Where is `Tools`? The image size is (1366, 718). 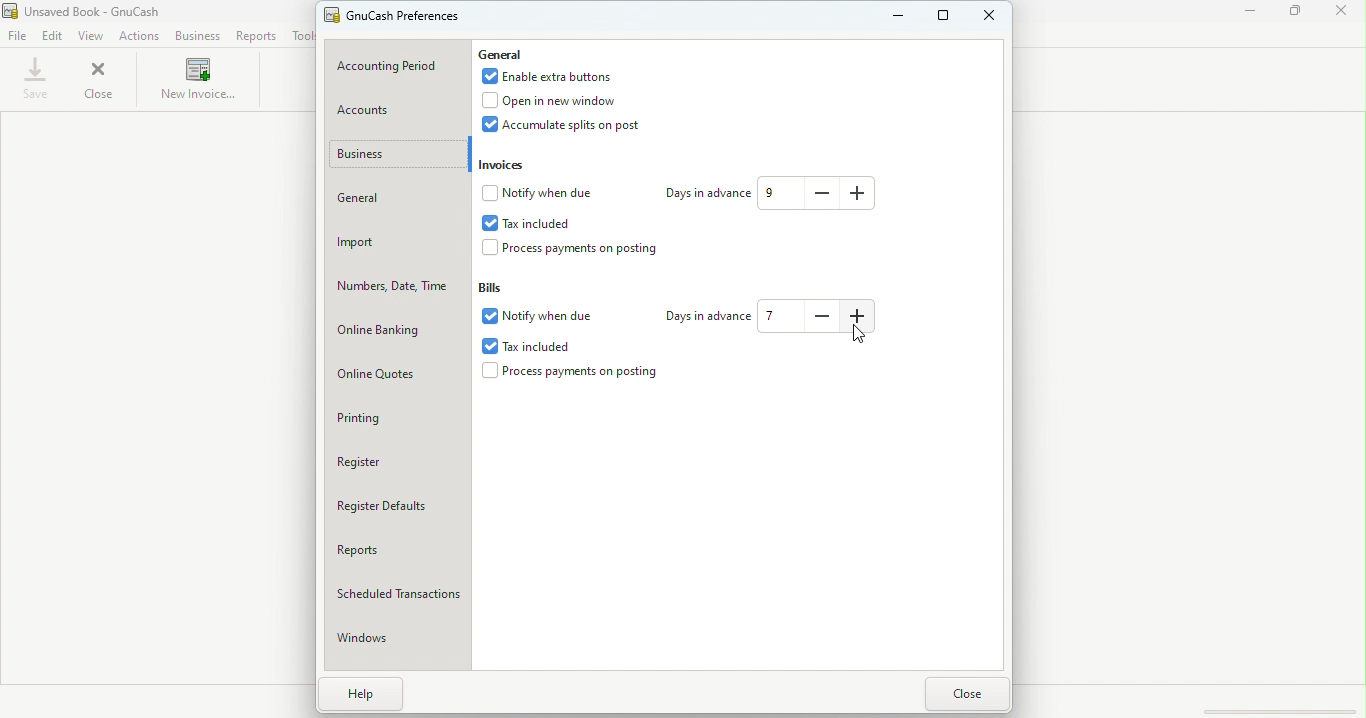 Tools is located at coordinates (302, 38).